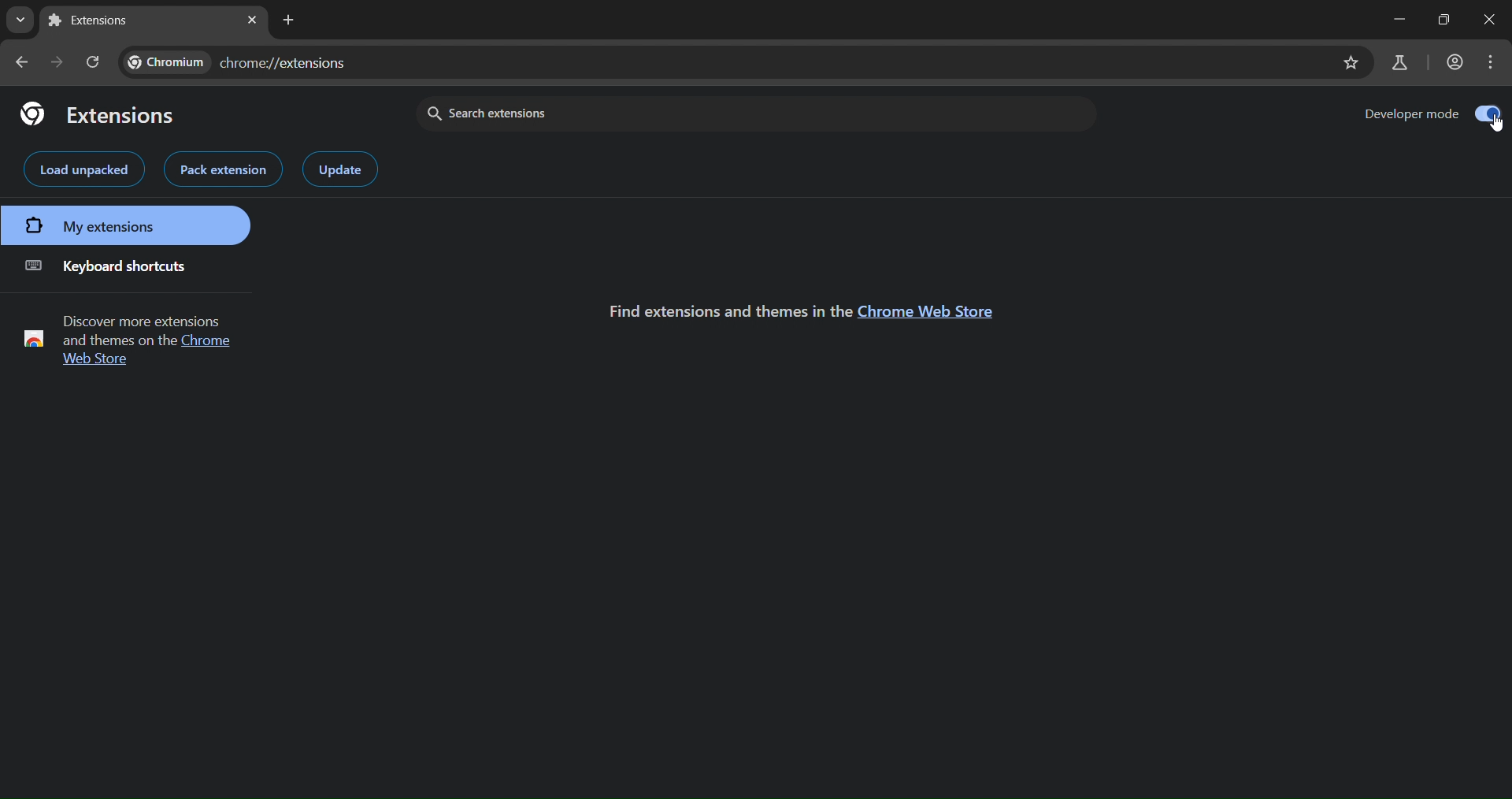  What do you see at coordinates (1432, 113) in the screenshot?
I see `developer mode` at bounding box center [1432, 113].